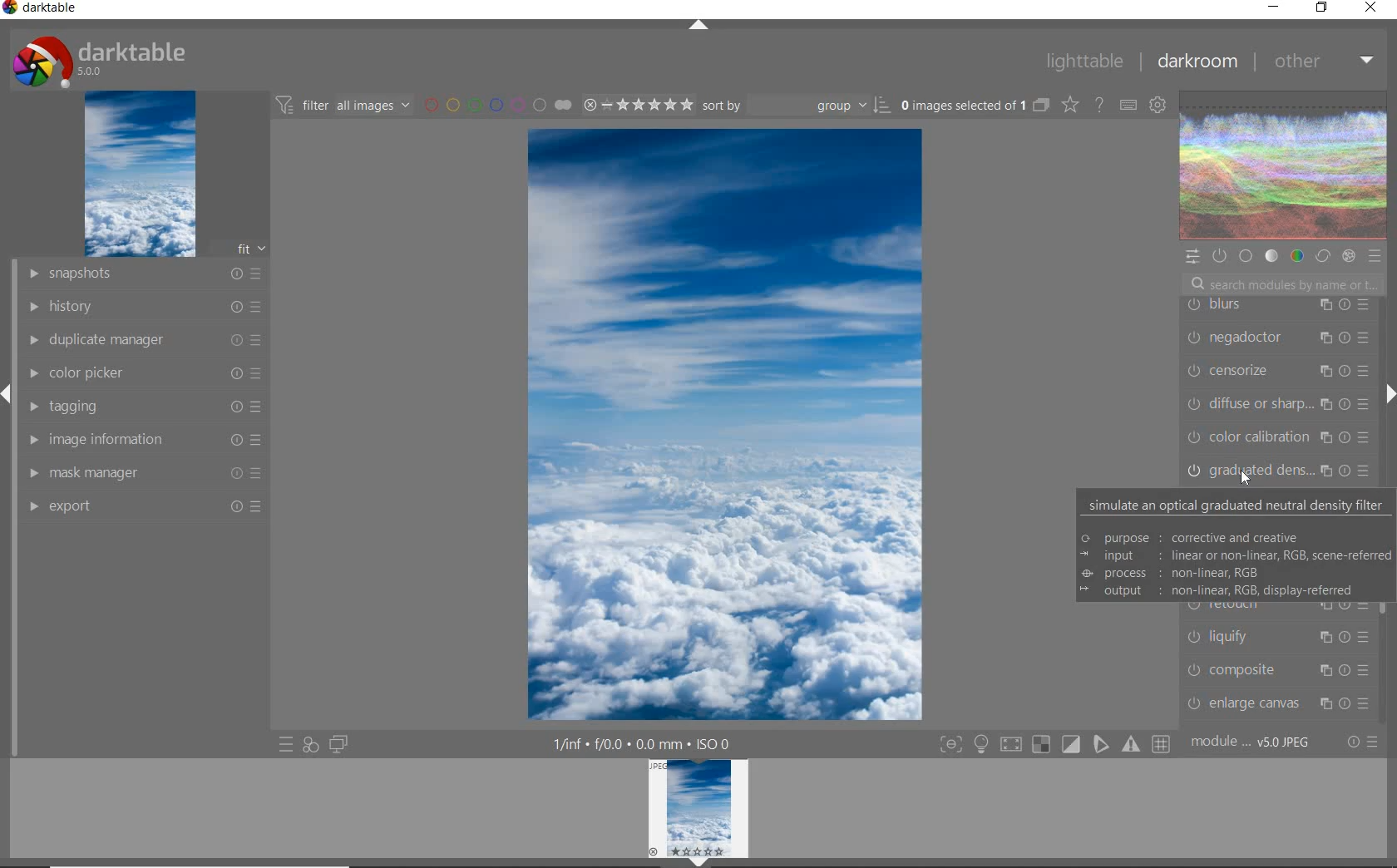  What do you see at coordinates (1375, 256) in the screenshot?
I see `PRESET` at bounding box center [1375, 256].